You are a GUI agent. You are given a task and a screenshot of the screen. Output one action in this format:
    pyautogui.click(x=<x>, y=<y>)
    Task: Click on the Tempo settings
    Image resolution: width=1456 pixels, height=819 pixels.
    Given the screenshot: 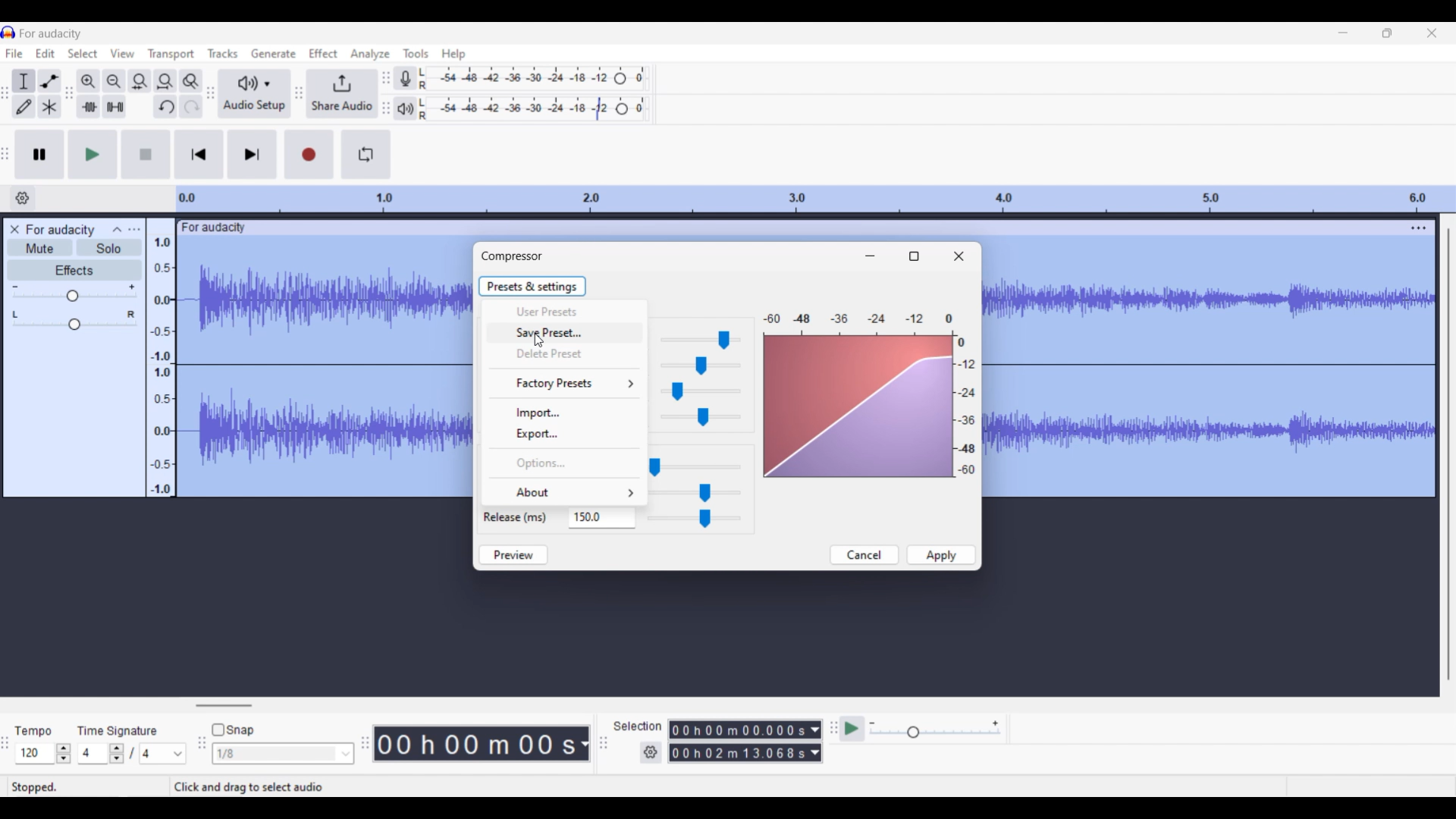 What is the action you would take?
    pyautogui.click(x=43, y=753)
    